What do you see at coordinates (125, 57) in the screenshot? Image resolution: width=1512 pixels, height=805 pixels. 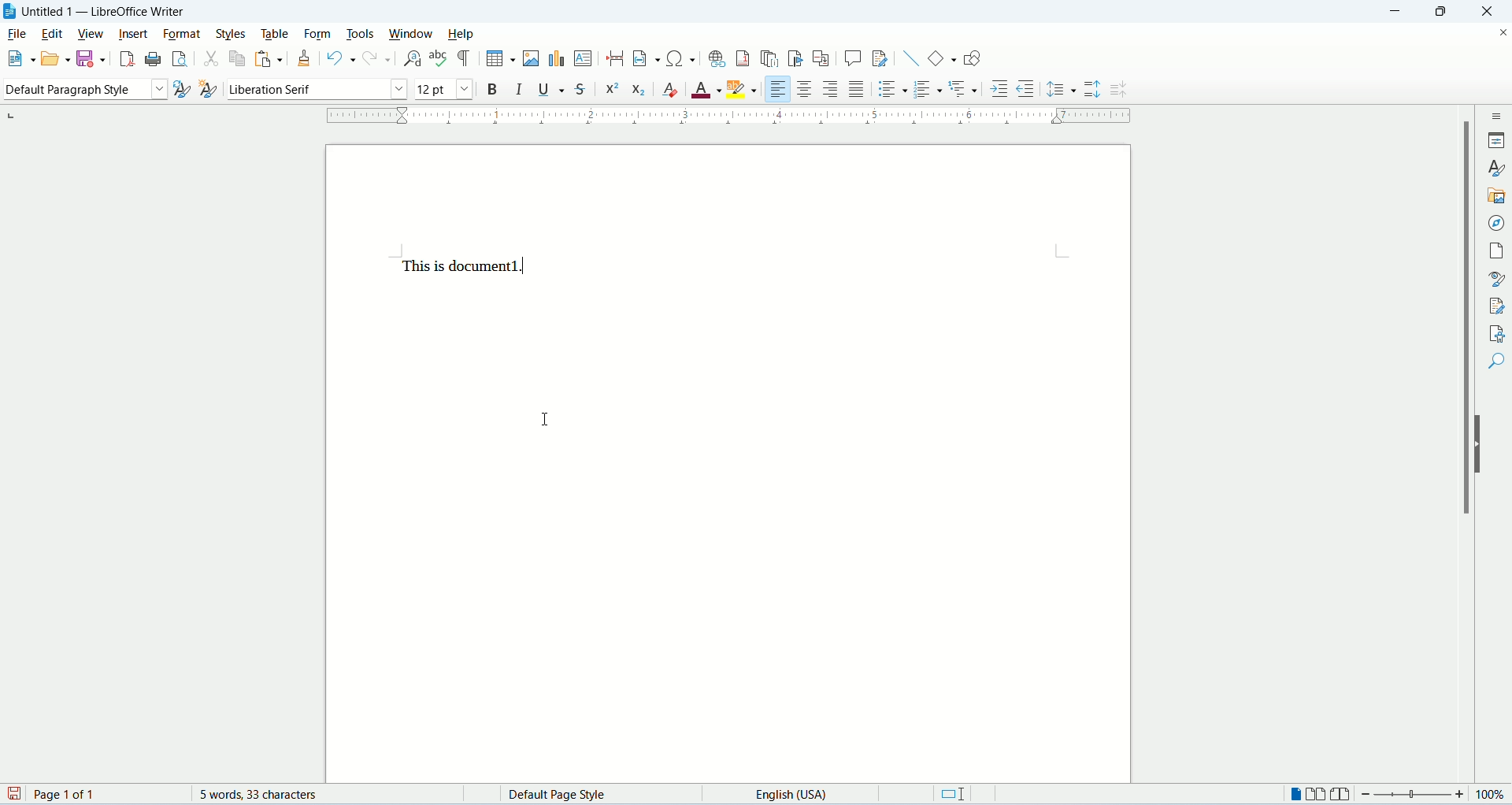 I see `export as pdf` at bounding box center [125, 57].